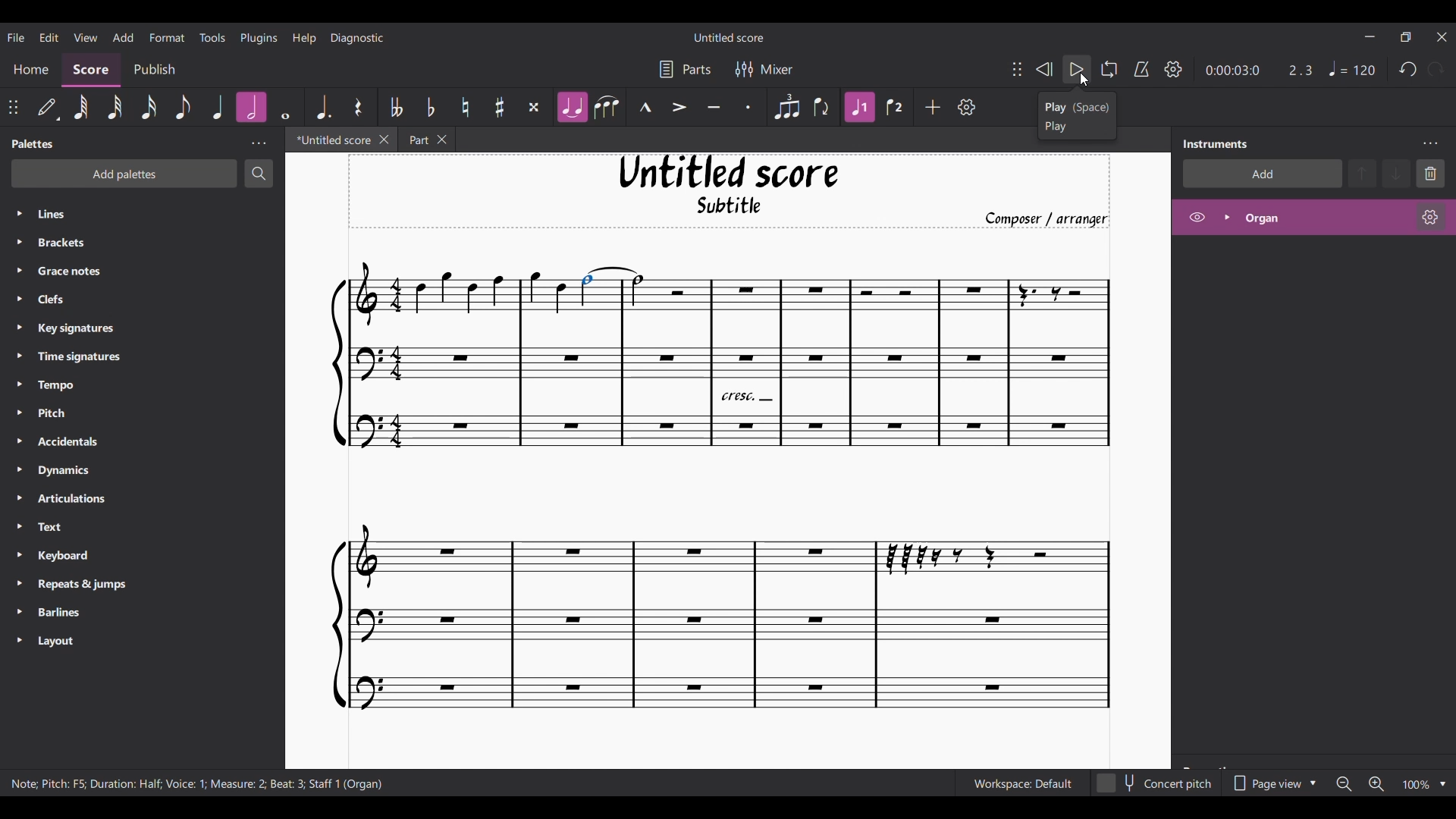 The width and height of the screenshot is (1456, 819). Describe the element at coordinates (1442, 37) in the screenshot. I see `Close interface` at that location.